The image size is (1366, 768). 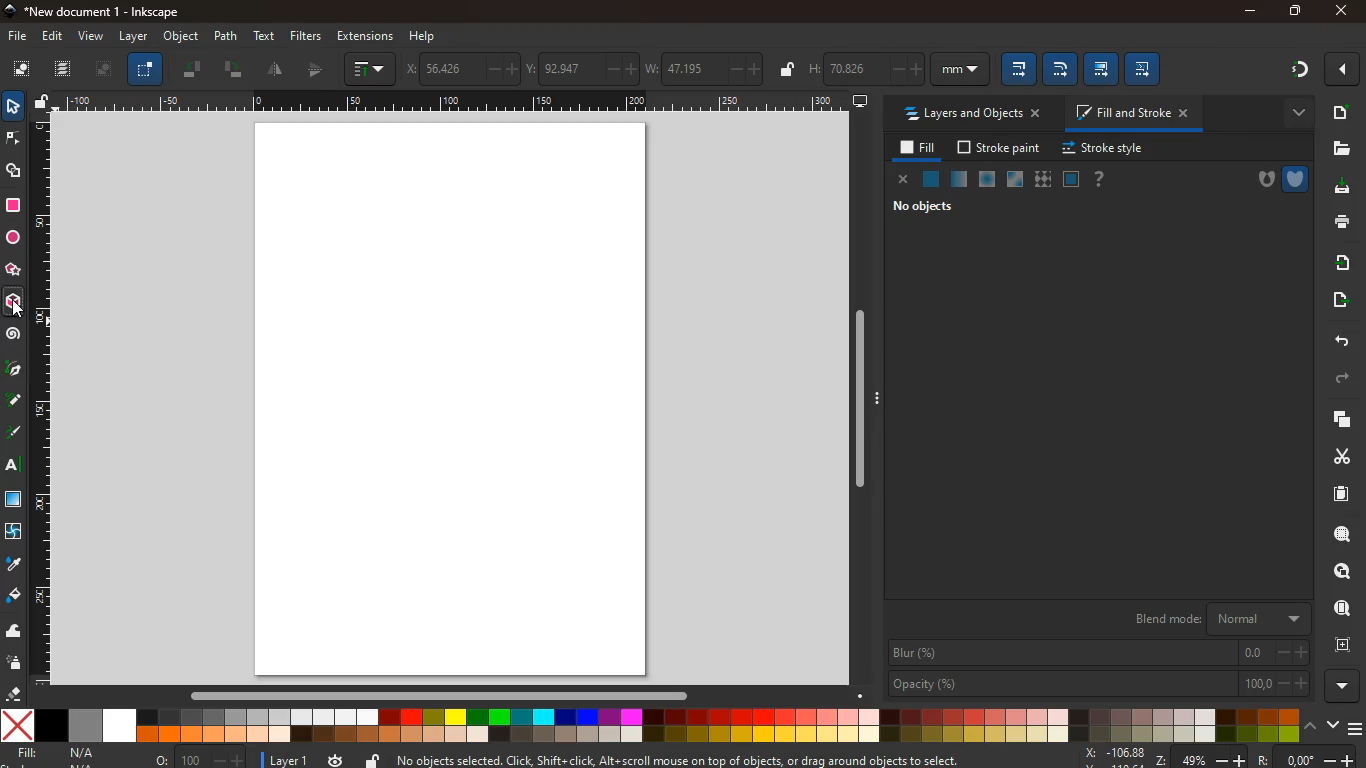 What do you see at coordinates (1354, 724) in the screenshot?
I see `menu` at bounding box center [1354, 724].